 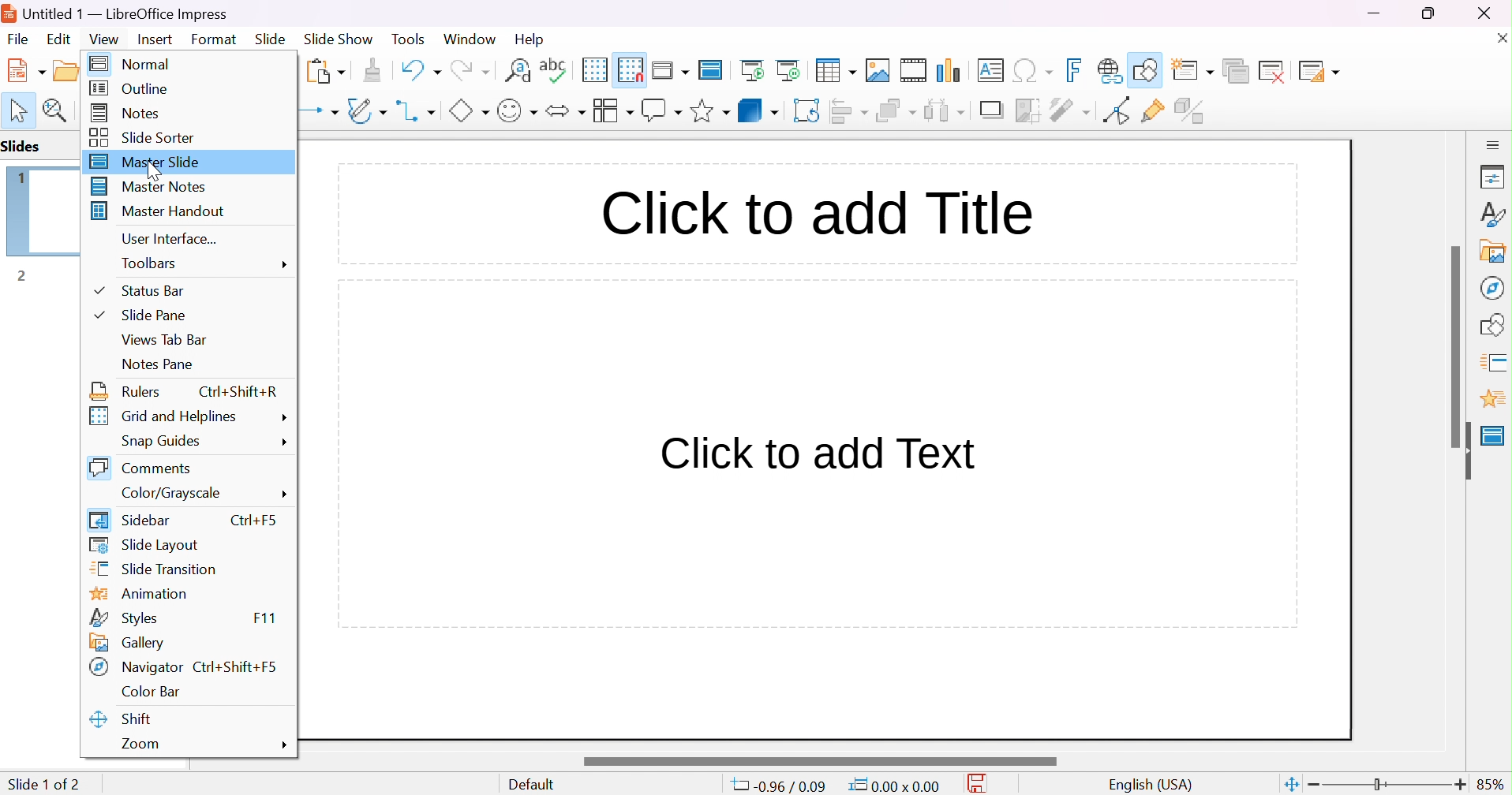 I want to click on zoom in/out, so click(x=1387, y=785).